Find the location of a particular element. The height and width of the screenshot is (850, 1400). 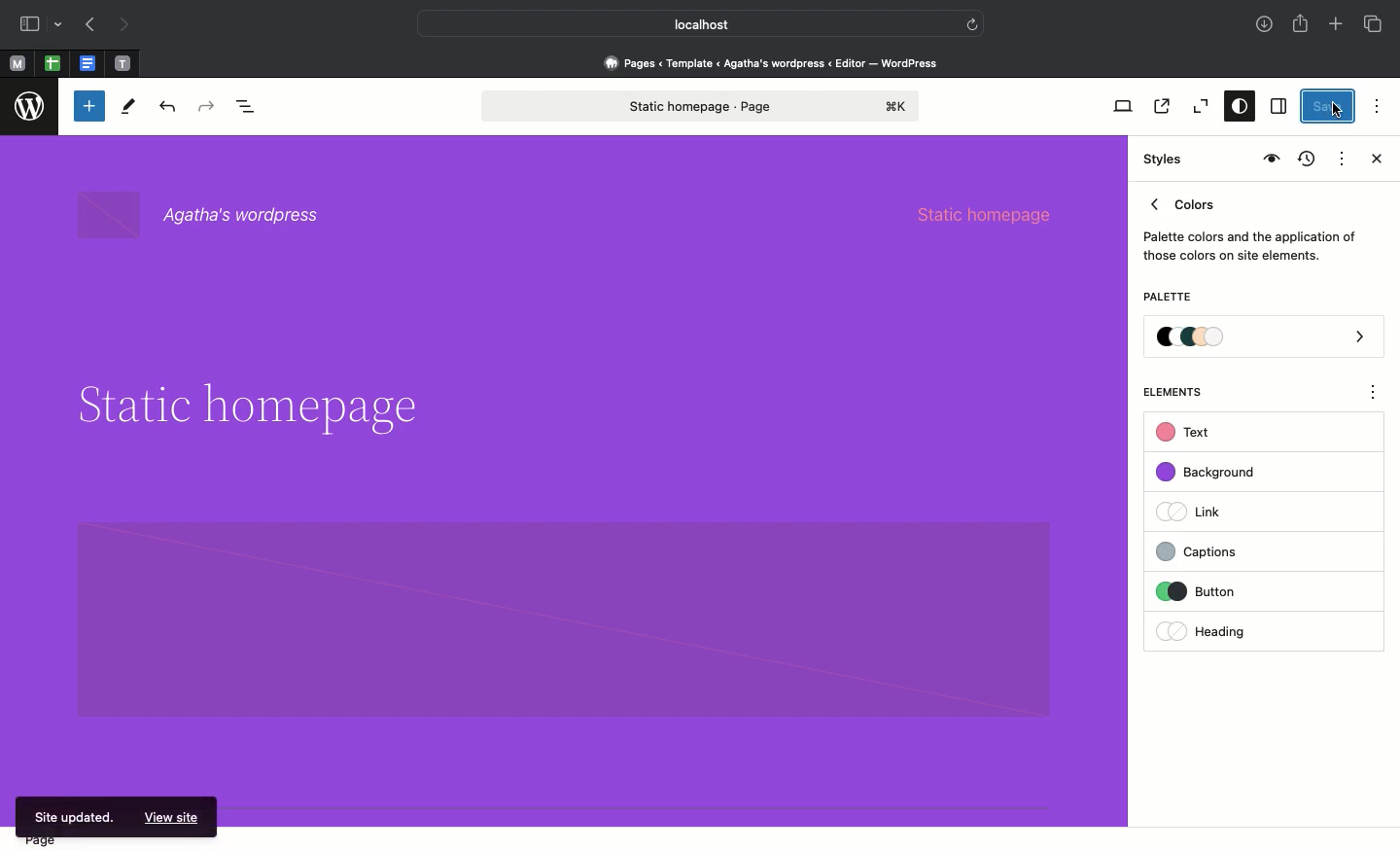

Zoom out is located at coordinates (1198, 107).